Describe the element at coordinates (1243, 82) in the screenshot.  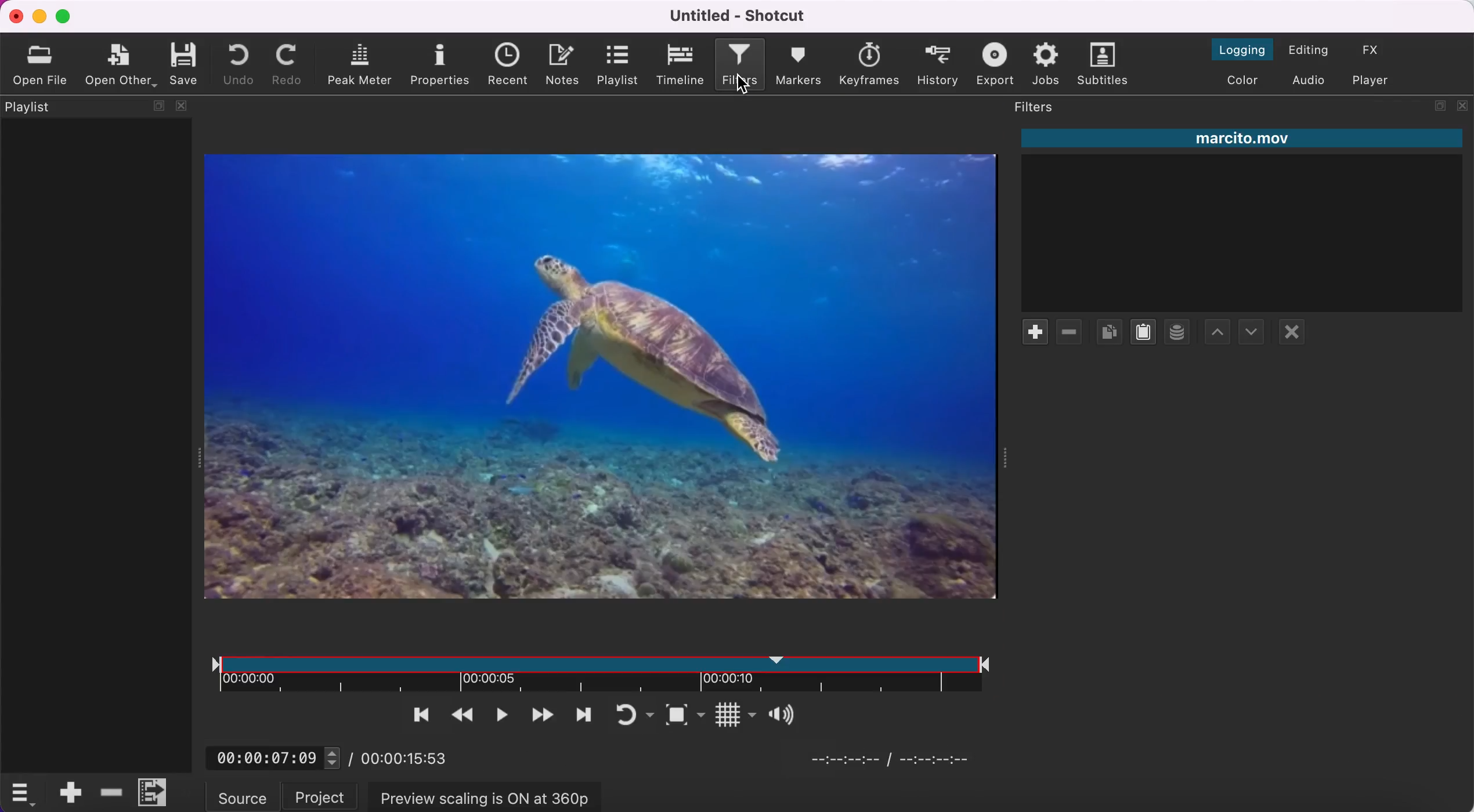
I see `switch to the color layout` at that location.